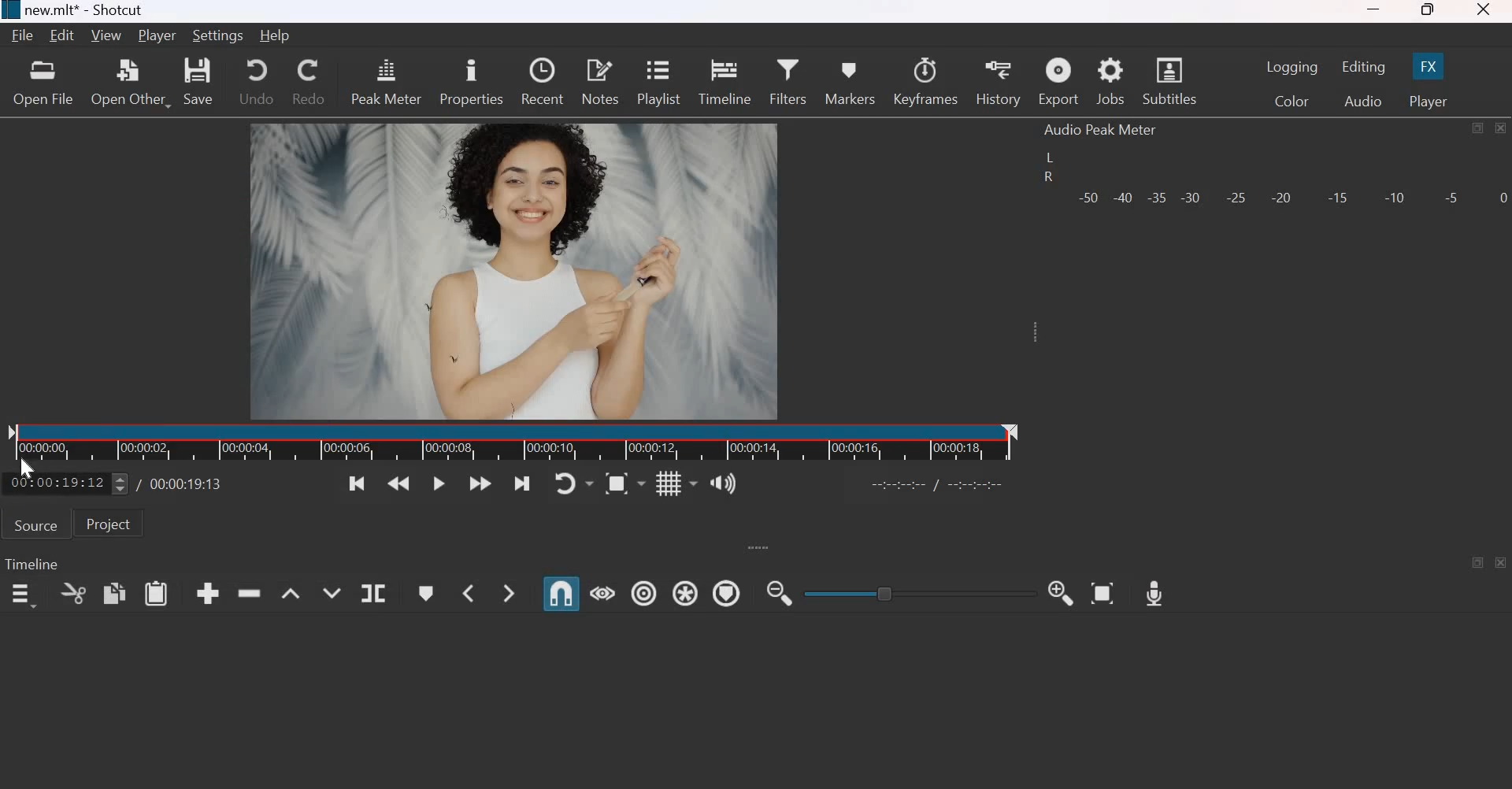 The image size is (1512, 789). I want to click on Filters, so click(787, 79).